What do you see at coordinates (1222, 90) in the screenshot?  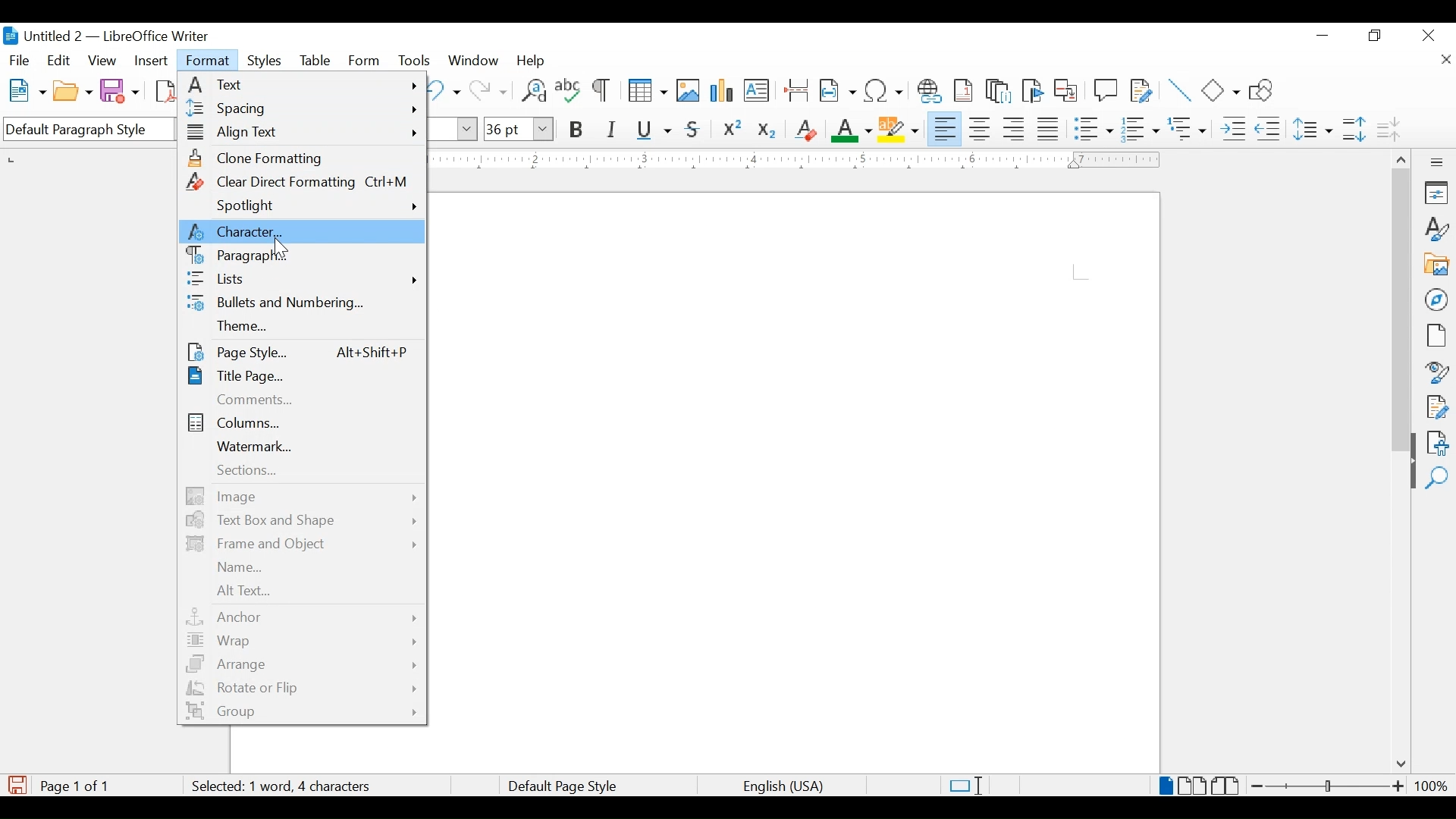 I see `basic shapes` at bounding box center [1222, 90].